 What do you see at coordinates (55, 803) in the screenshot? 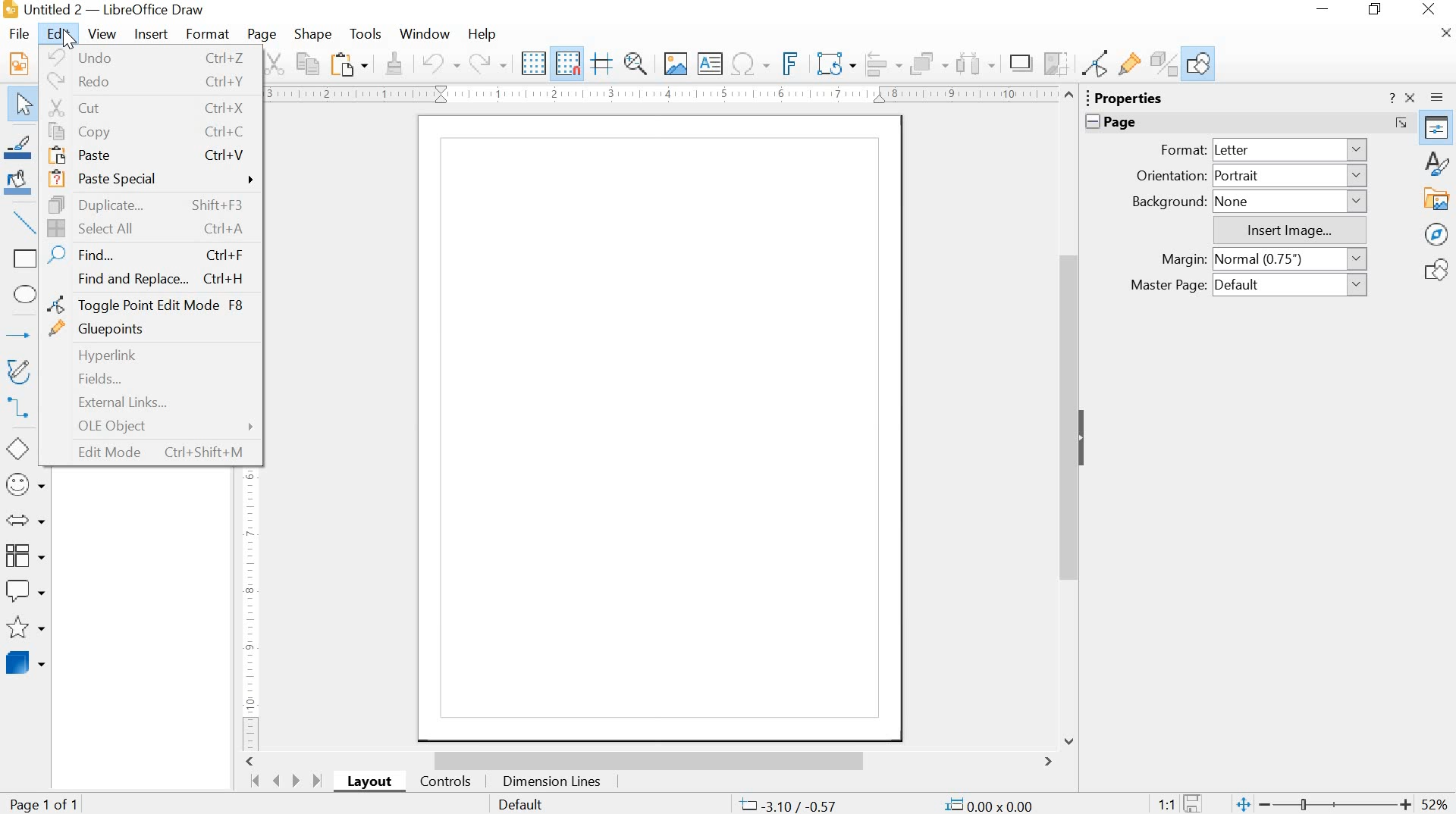
I see `Page 1 of 1` at bounding box center [55, 803].